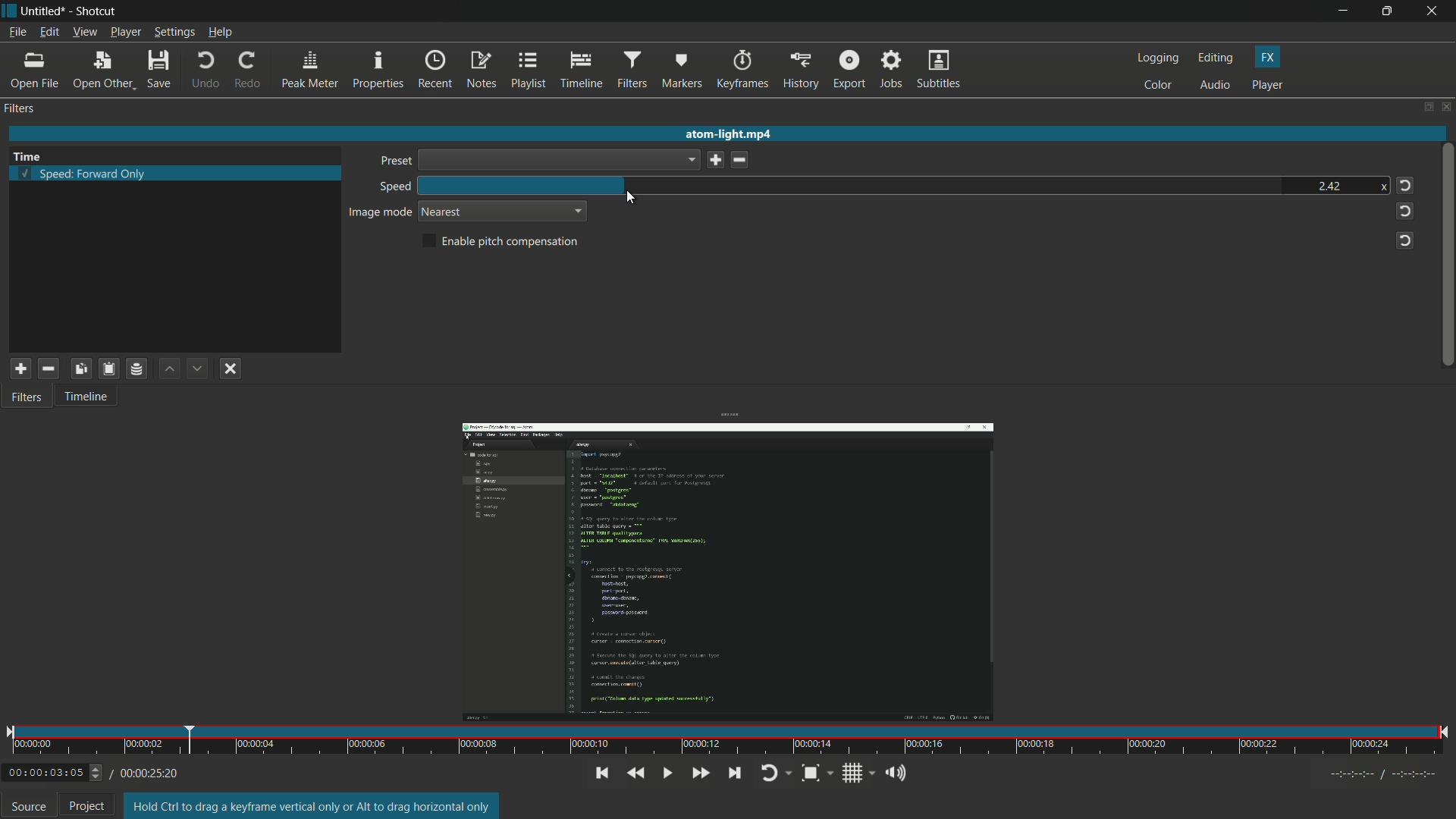 The image size is (1456, 819). What do you see at coordinates (49, 32) in the screenshot?
I see `edit menu` at bounding box center [49, 32].